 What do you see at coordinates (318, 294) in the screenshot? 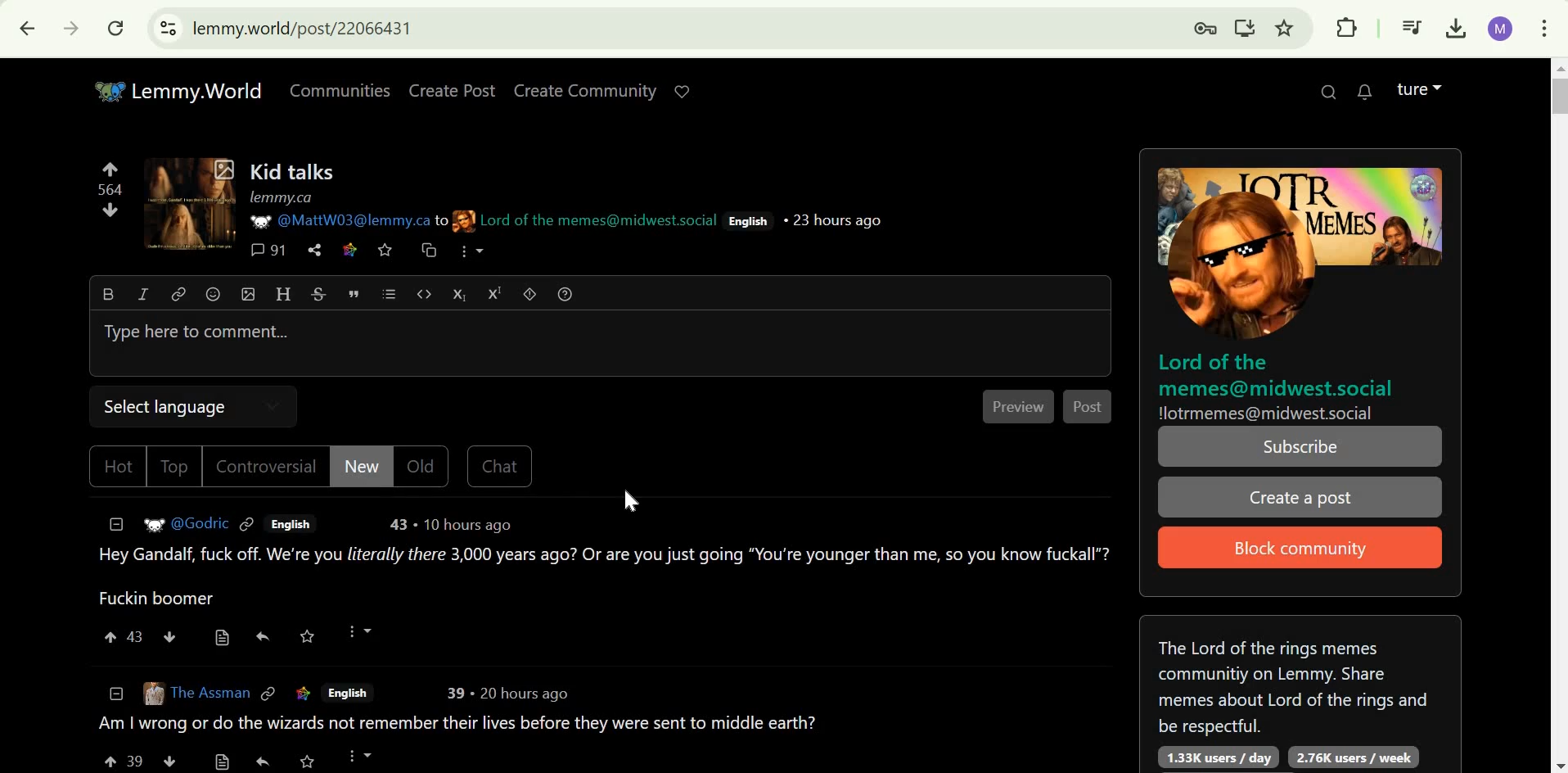
I see `strikethrough` at bounding box center [318, 294].